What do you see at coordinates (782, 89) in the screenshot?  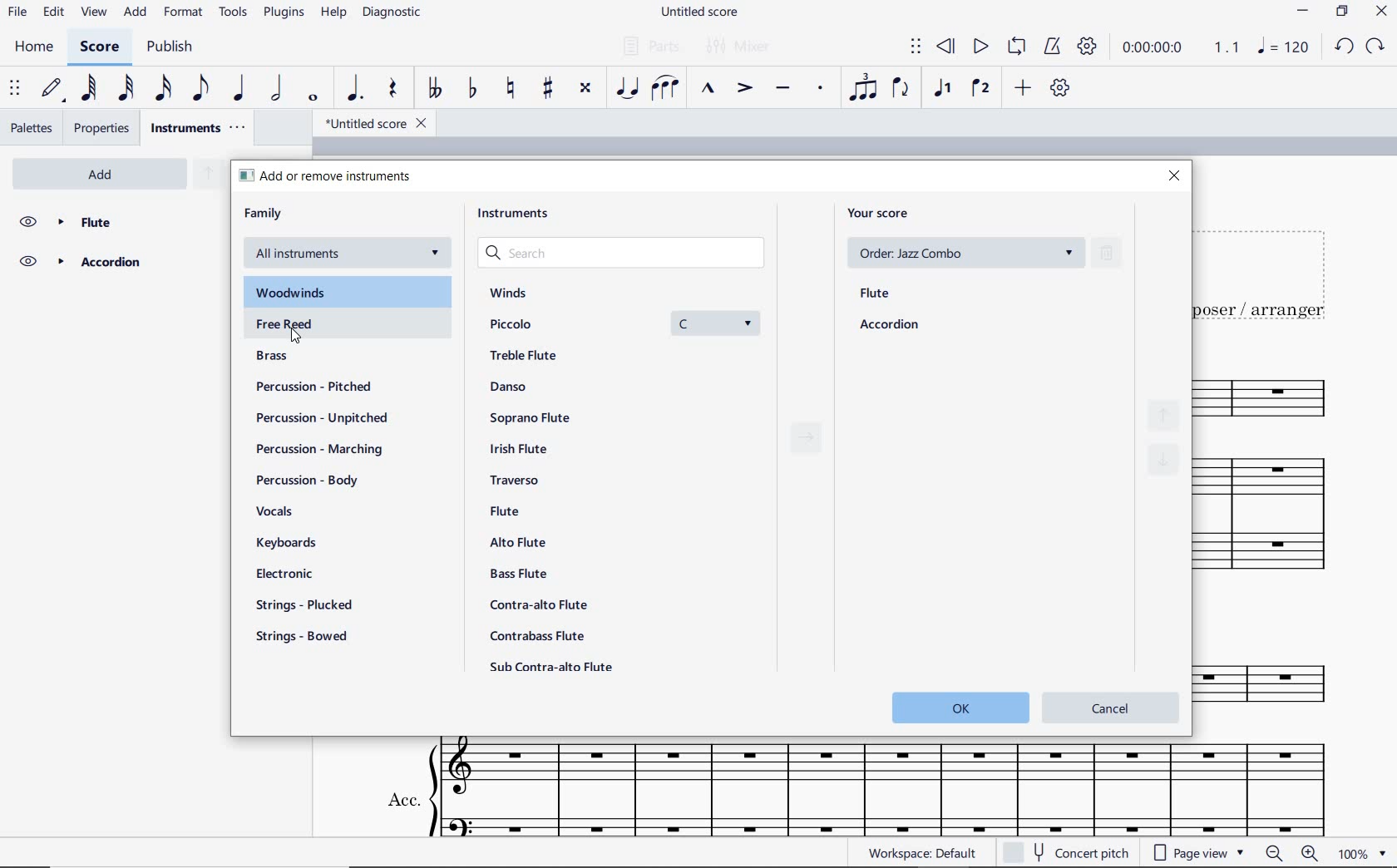 I see `tenuto` at bounding box center [782, 89].